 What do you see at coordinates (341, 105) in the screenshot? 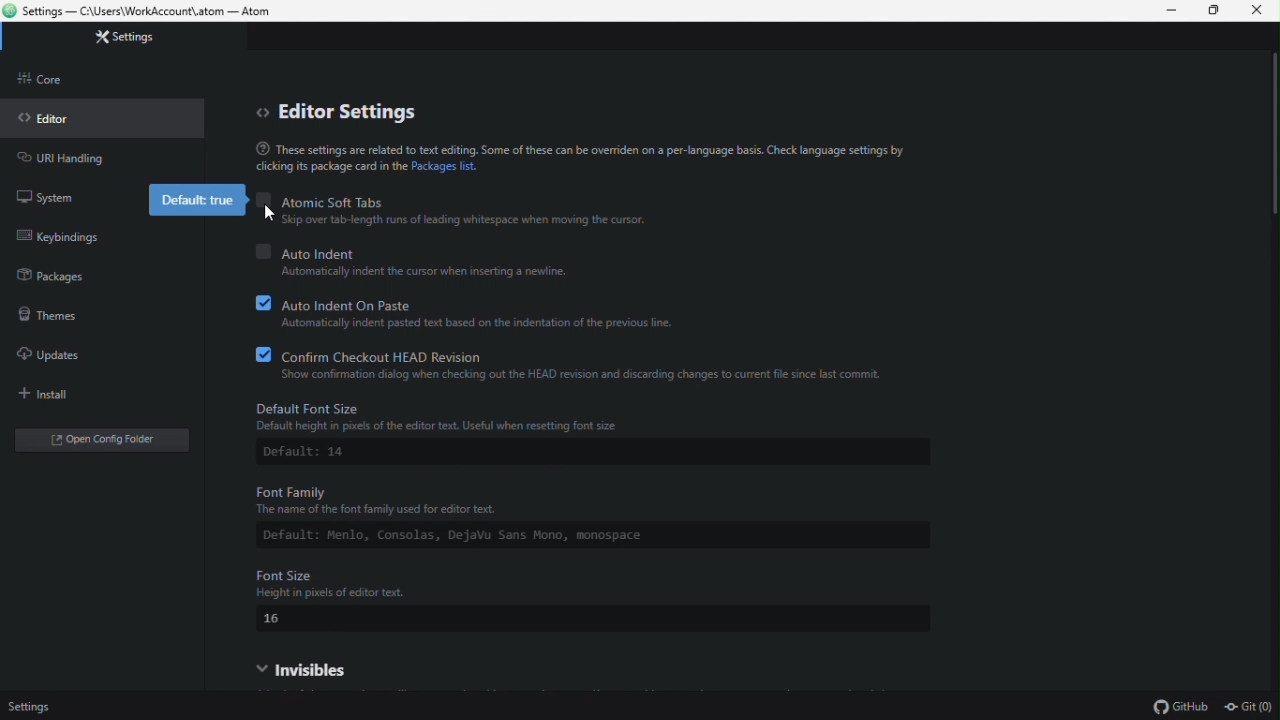
I see `Editor settings` at bounding box center [341, 105].